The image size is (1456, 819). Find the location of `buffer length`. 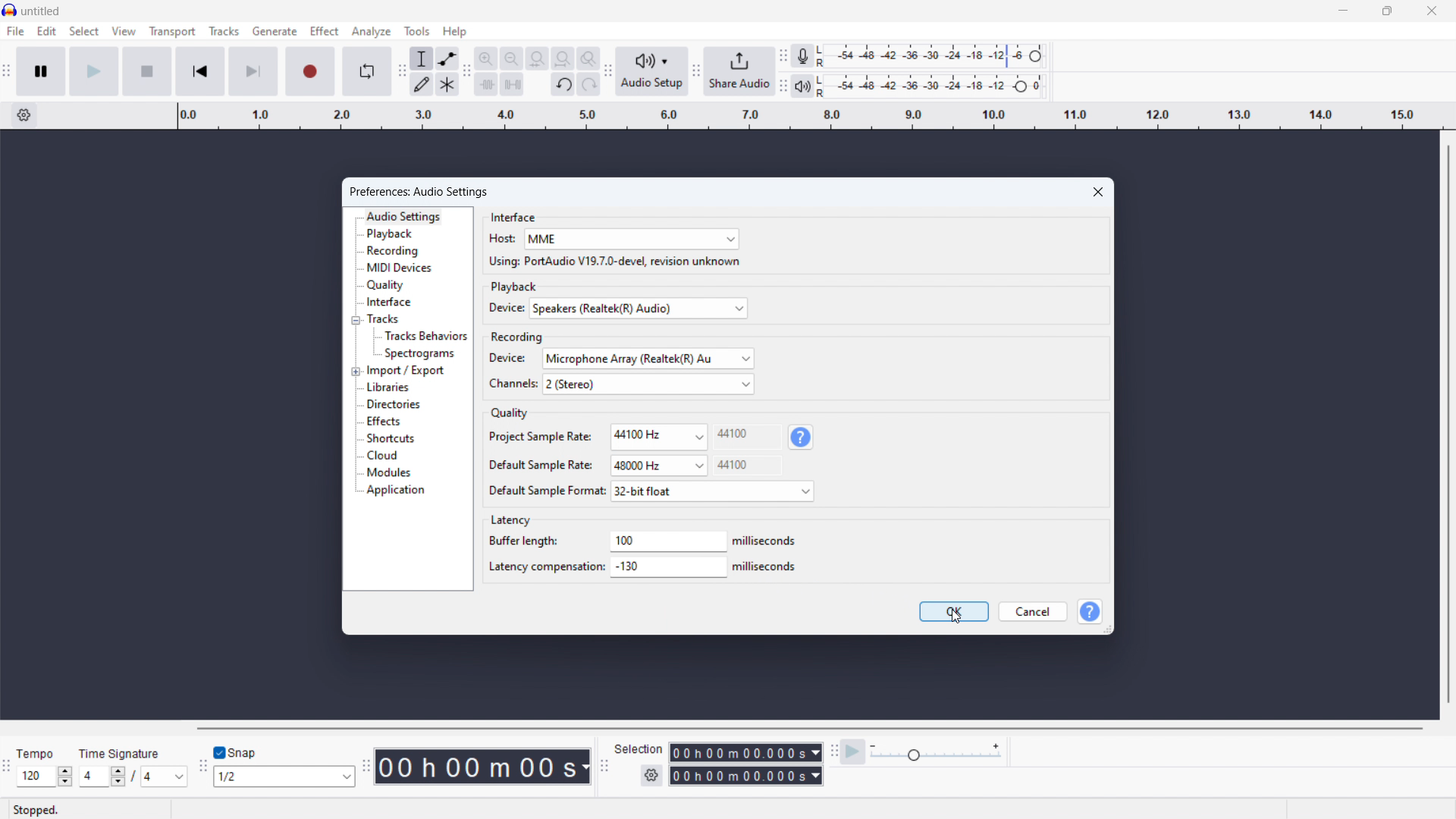

buffer length is located at coordinates (525, 540).